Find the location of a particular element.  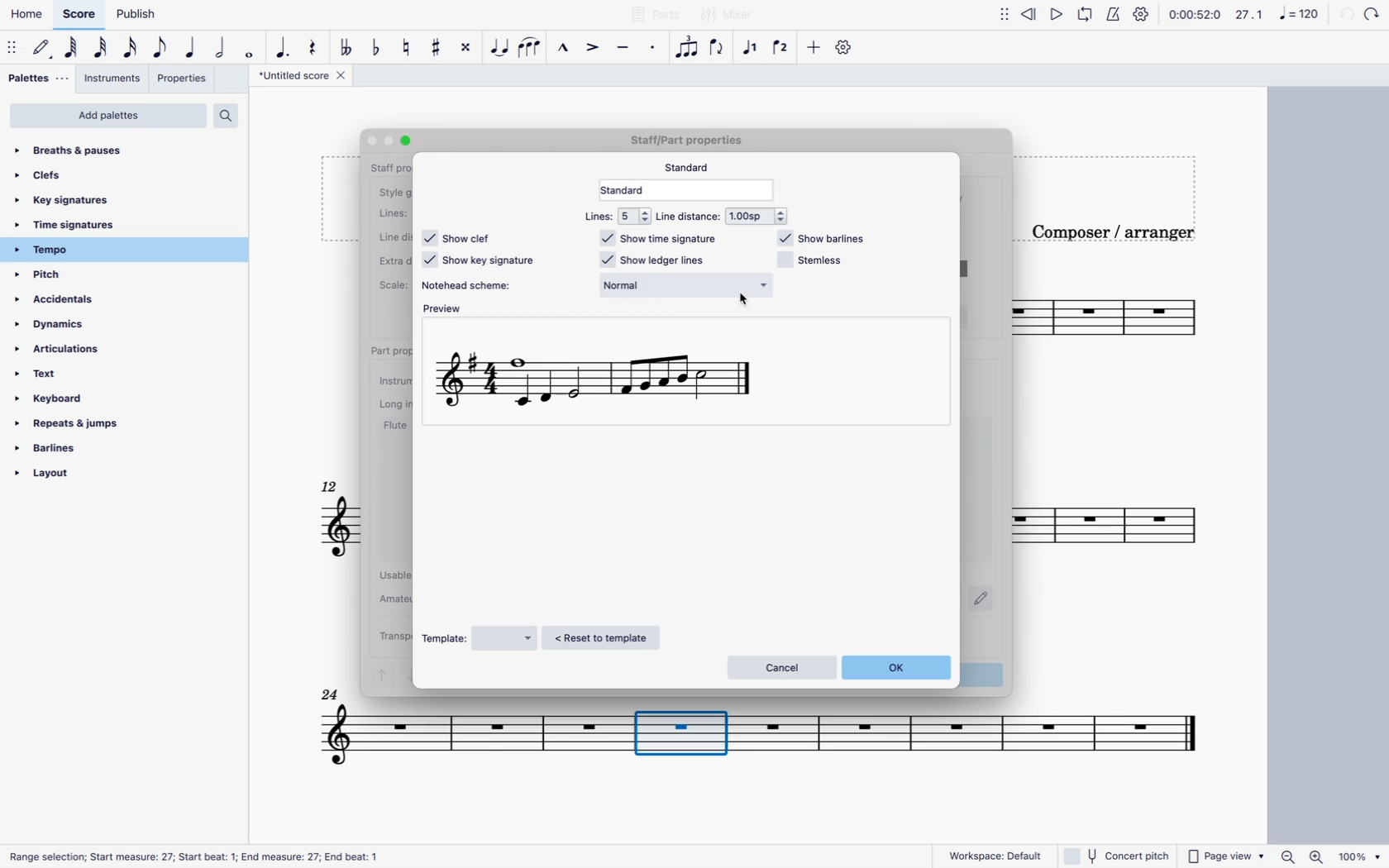

zoom is located at coordinates (1329, 855).